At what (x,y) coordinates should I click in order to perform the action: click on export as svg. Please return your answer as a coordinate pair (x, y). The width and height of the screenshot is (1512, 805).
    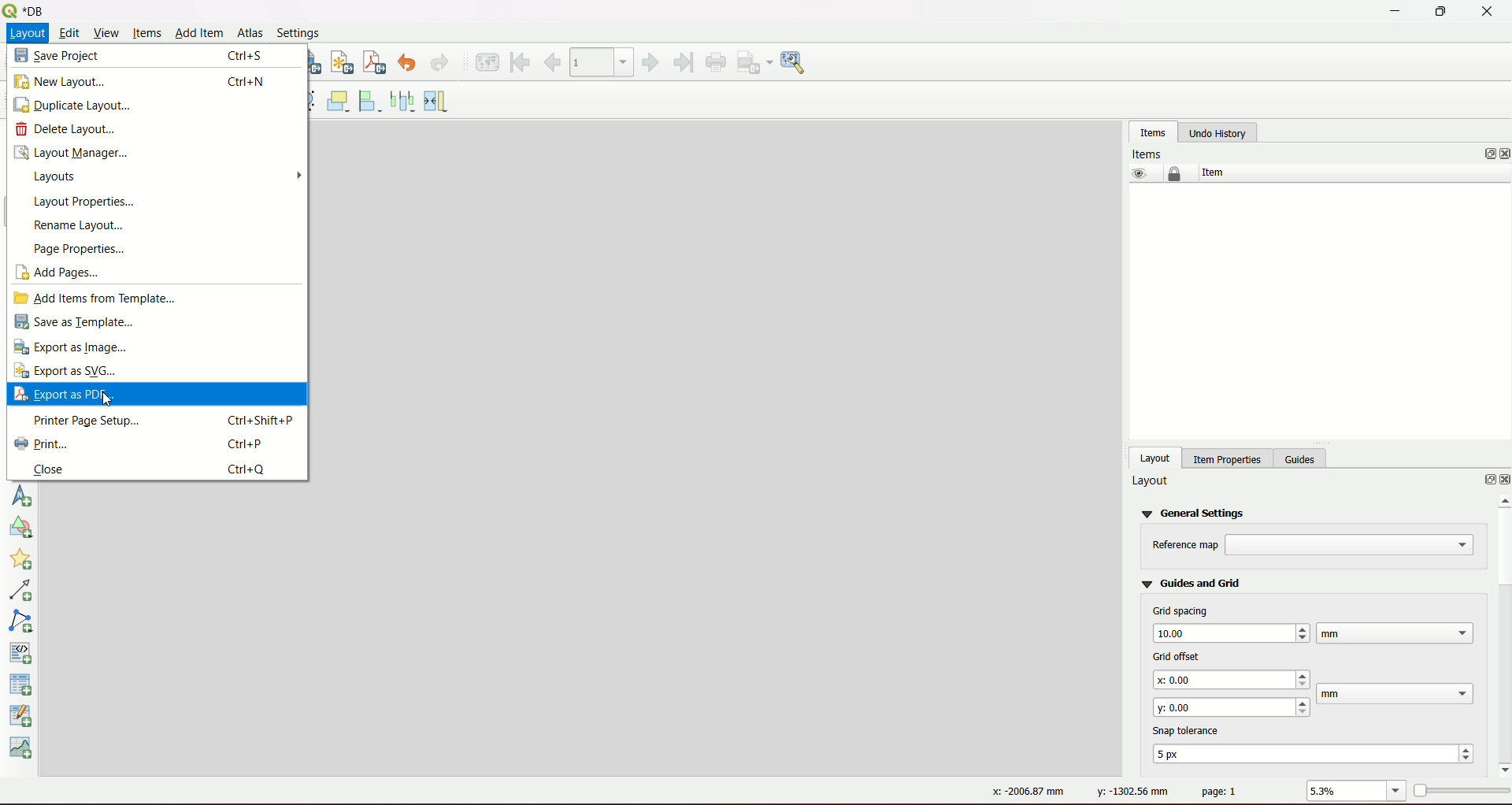
    Looking at the image, I should click on (340, 62).